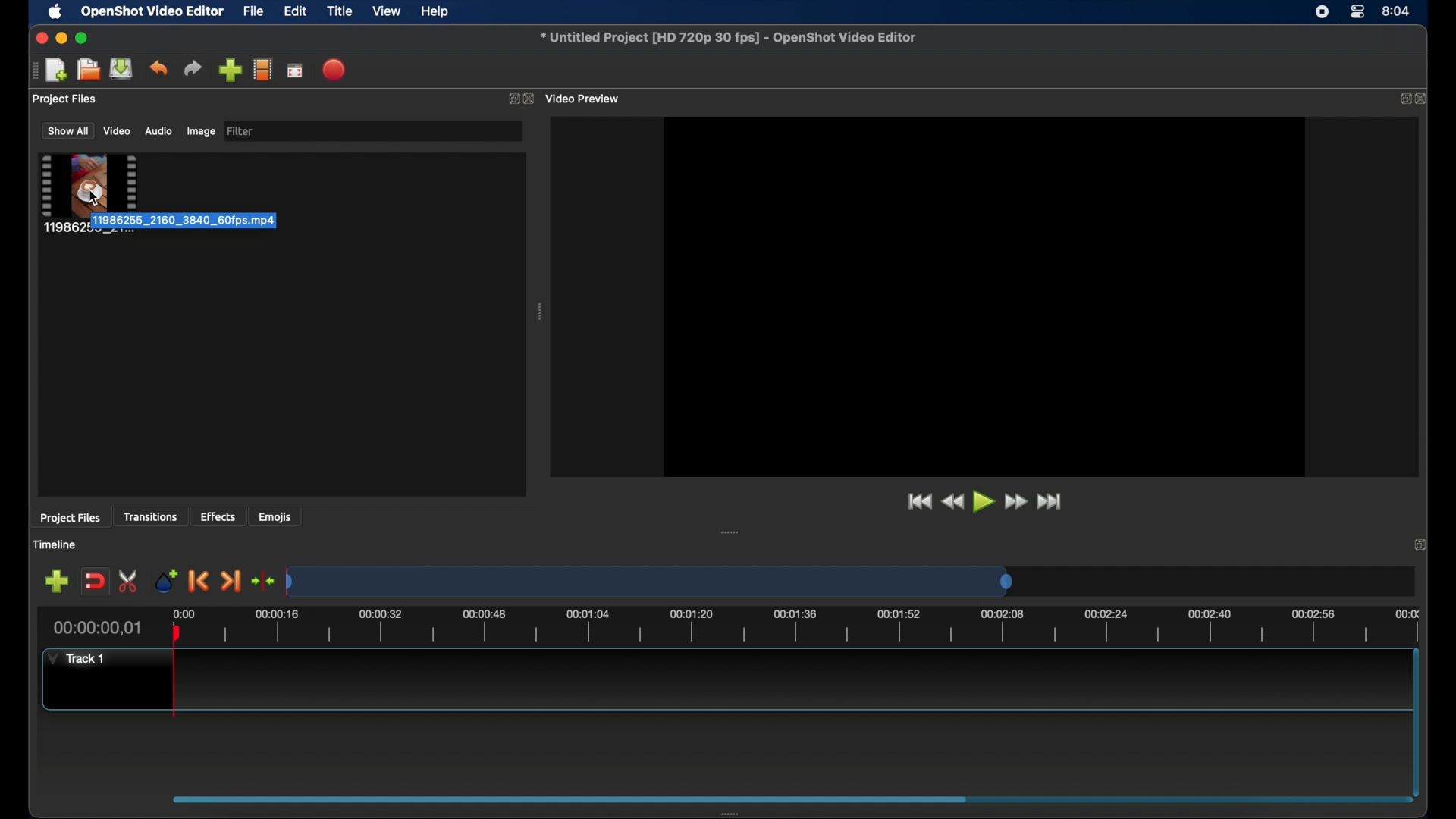 This screenshot has width=1456, height=819. I want to click on disable  snapping, so click(94, 580).